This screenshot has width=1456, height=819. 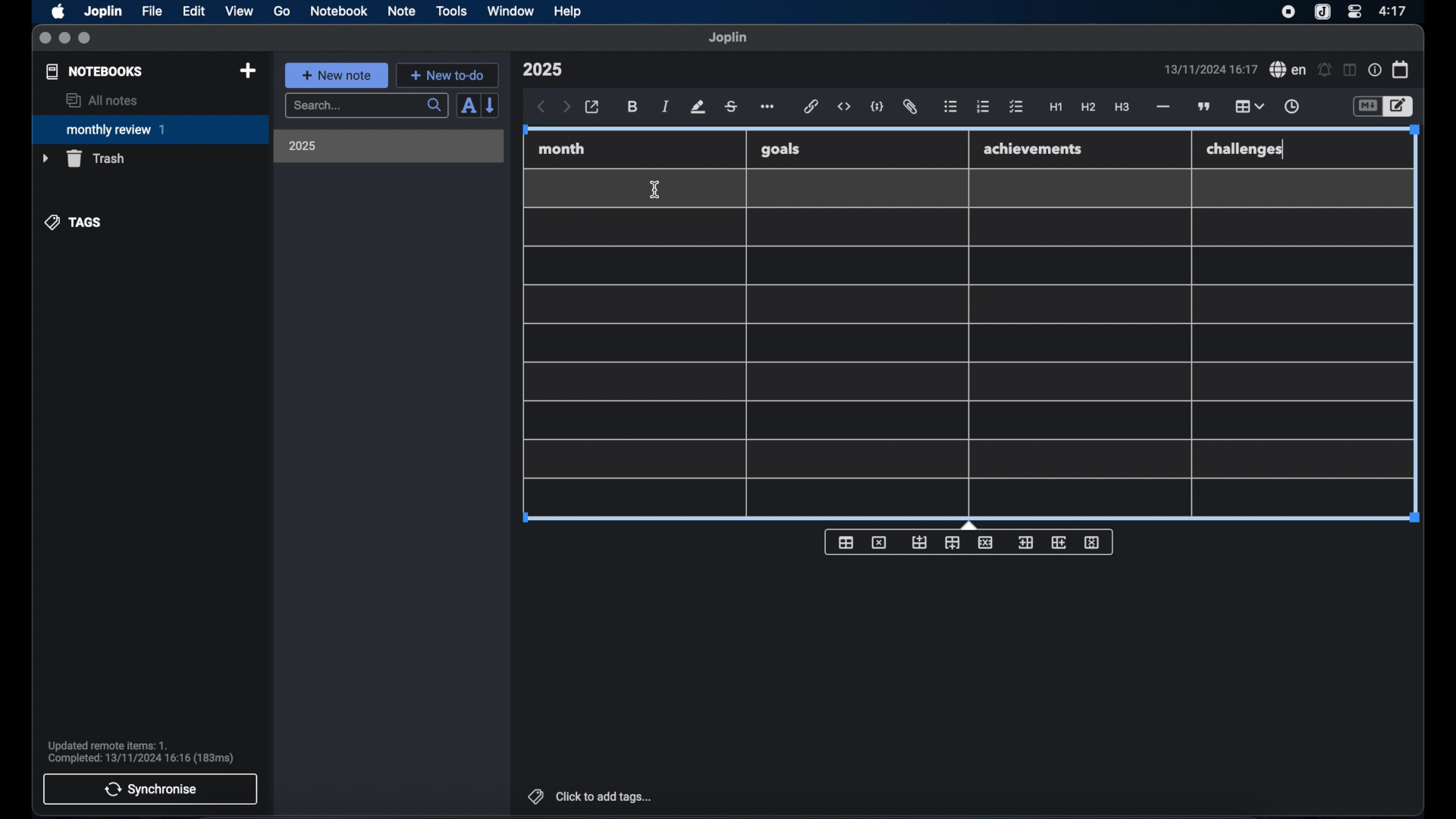 What do you see at coordinates (593, 108) in the screenshot?
I see `open in external editor` at bounding box center [593, 108].